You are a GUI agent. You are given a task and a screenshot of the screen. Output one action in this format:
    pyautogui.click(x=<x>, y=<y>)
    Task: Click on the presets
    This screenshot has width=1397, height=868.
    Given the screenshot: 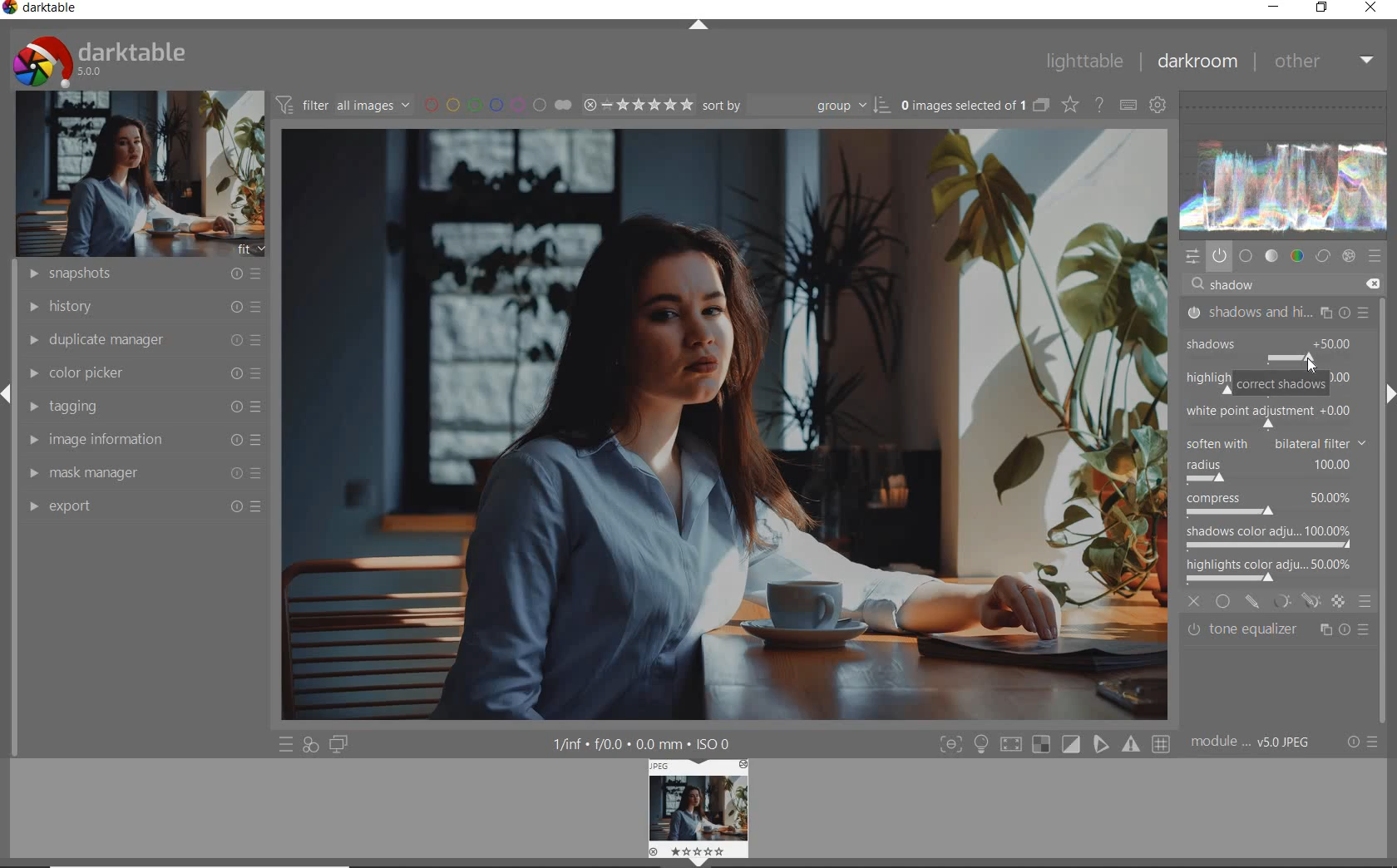 What is the action you would take?
    pyautogui.click(x=1375, y=255)
    